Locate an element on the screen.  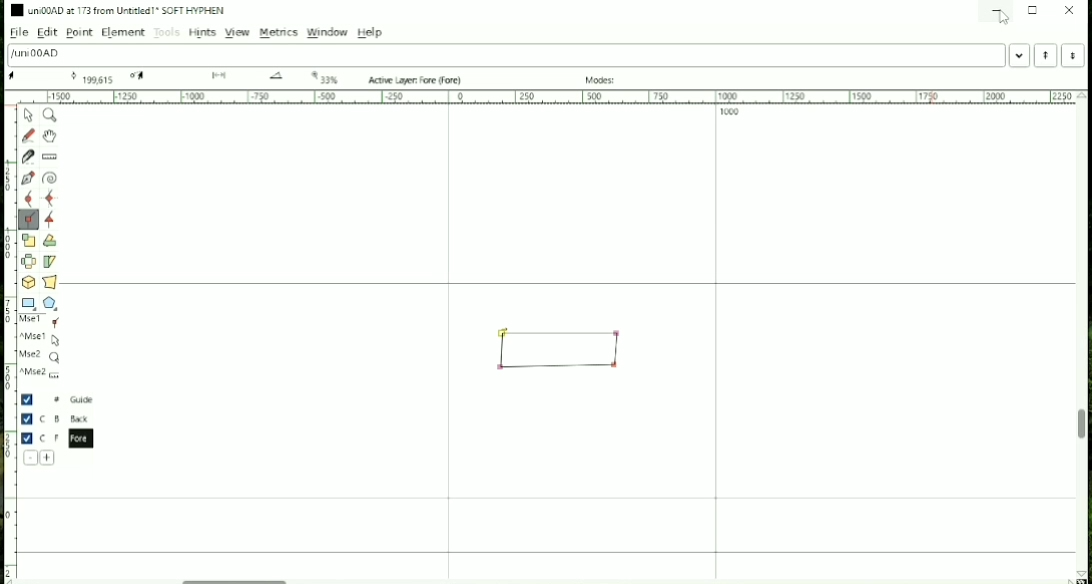
Scroll by hand is located at coordinates (49, 136).